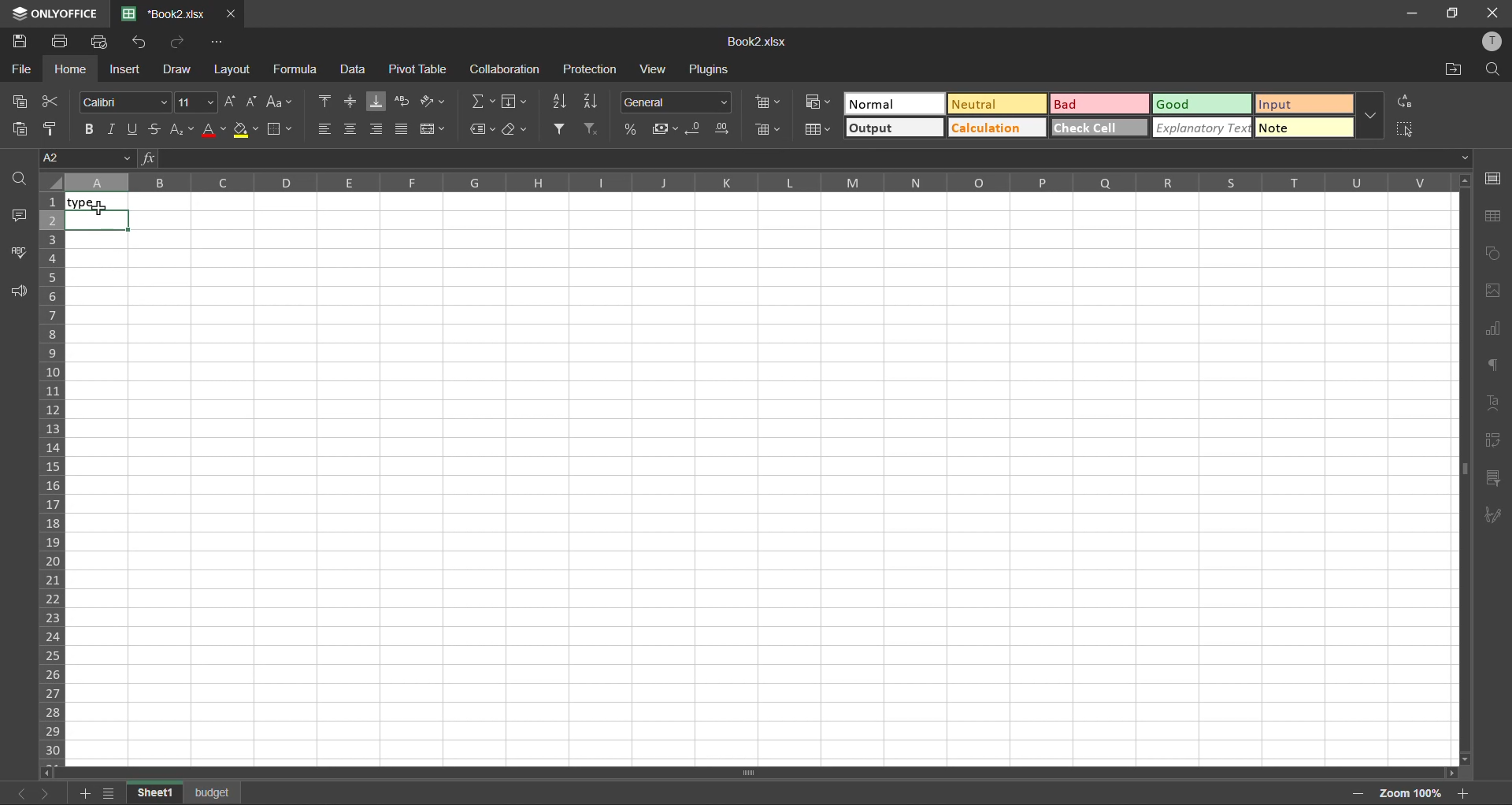 This screenshot has width=1512, height=805. I want to click on column names, so click(756, 182).